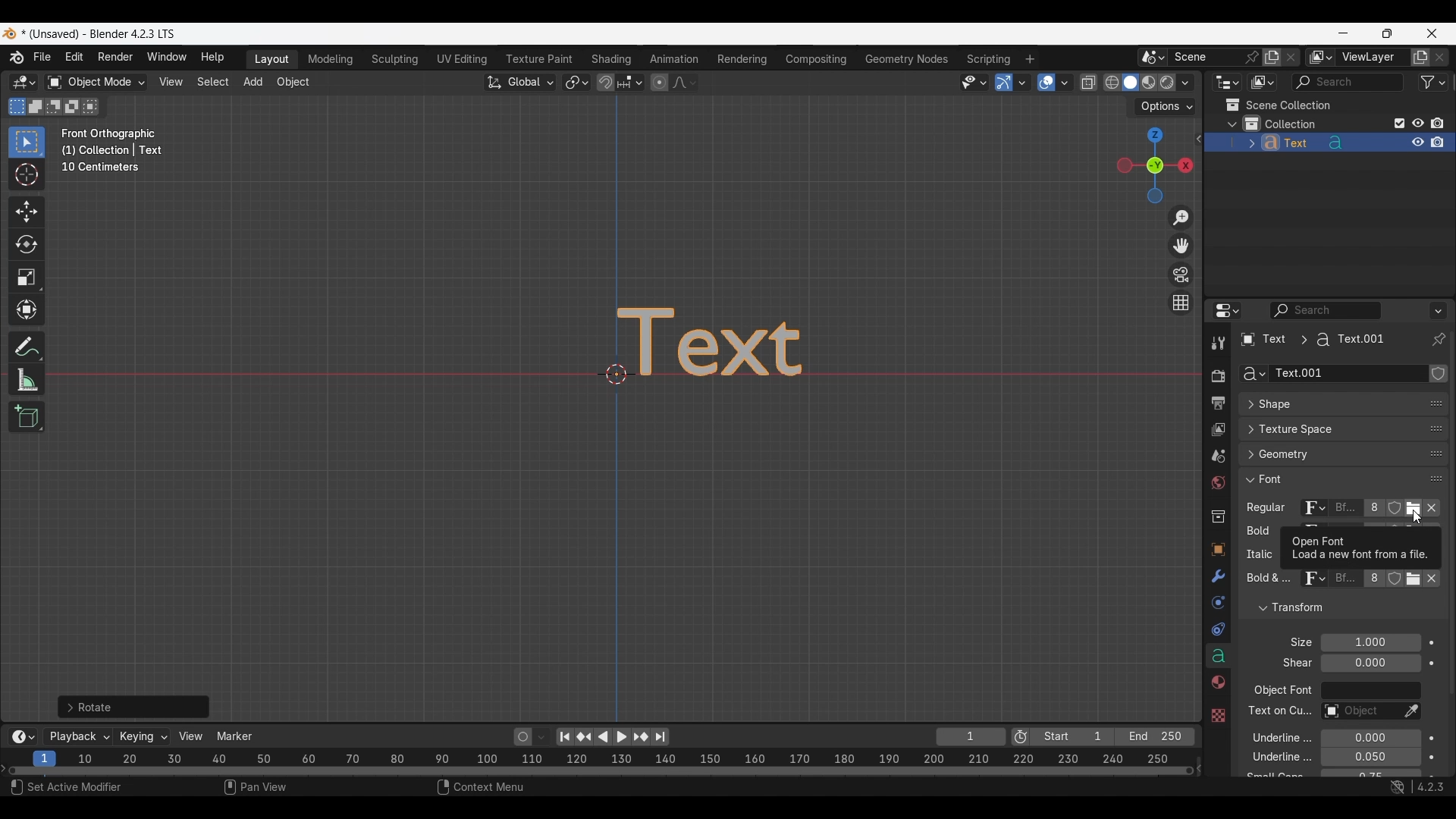 The height and width of the screenshot is (819, 1456). Describe the element at coordinates (397, 59) in the screenshot. I see `Sculpting workspace` at that location.